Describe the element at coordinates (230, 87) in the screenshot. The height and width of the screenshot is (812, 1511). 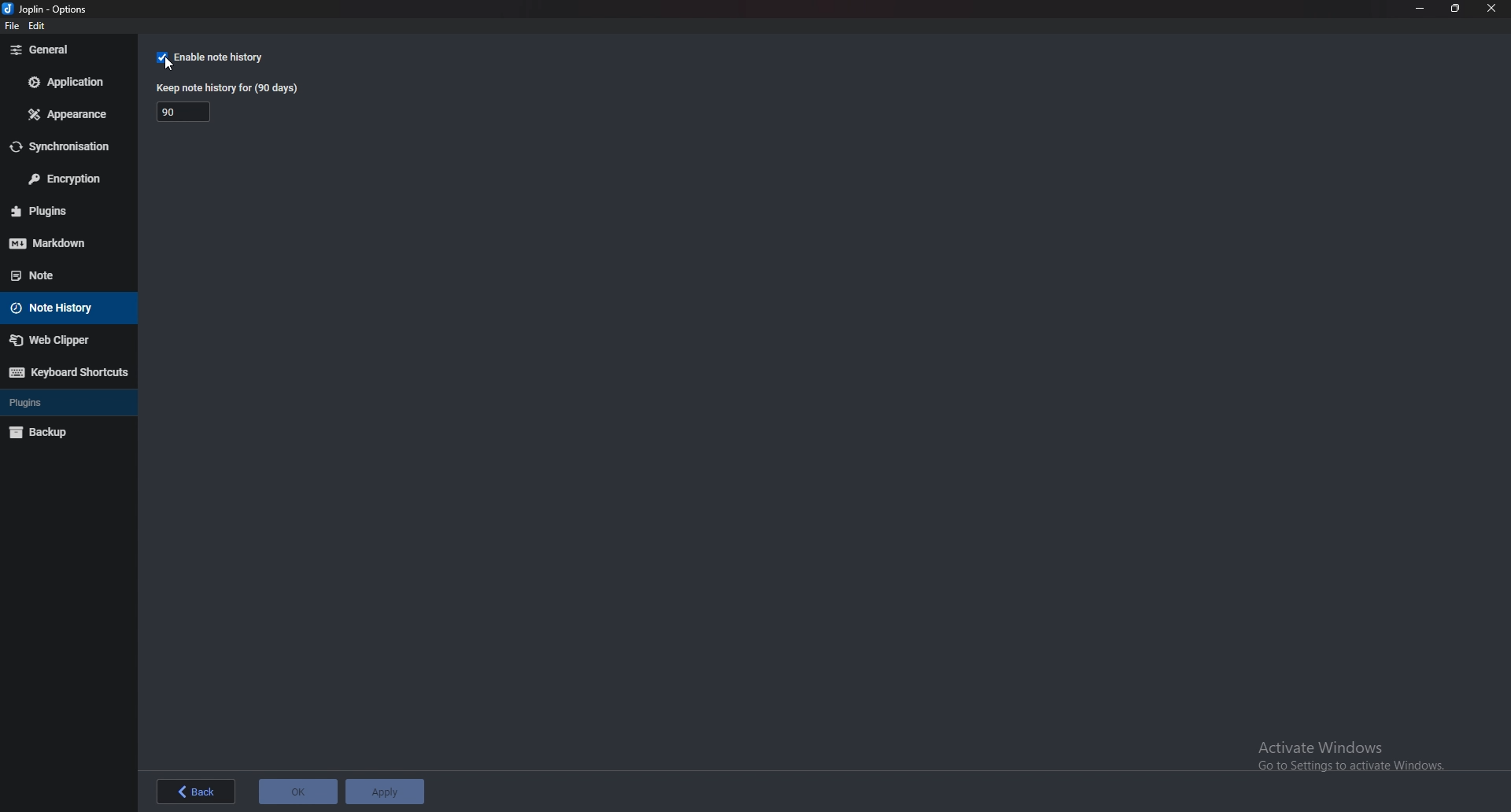
I see `Keep note history for` at that location.